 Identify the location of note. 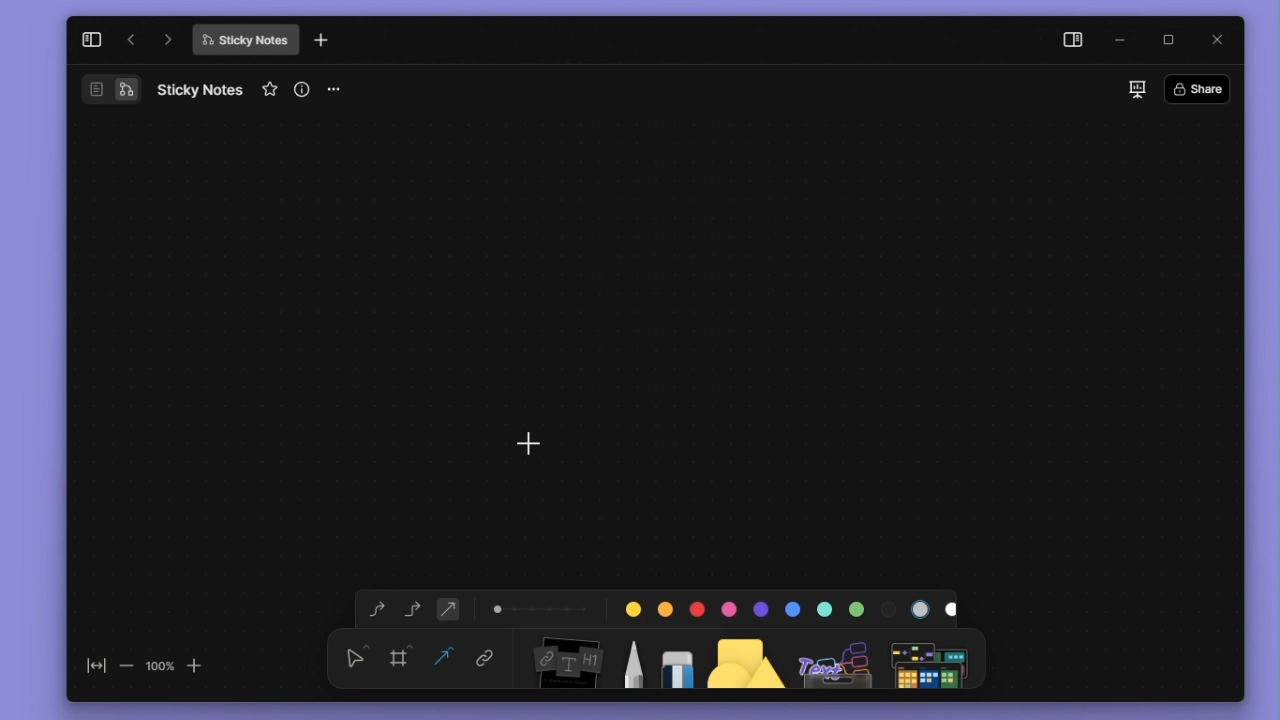
(565, 659).